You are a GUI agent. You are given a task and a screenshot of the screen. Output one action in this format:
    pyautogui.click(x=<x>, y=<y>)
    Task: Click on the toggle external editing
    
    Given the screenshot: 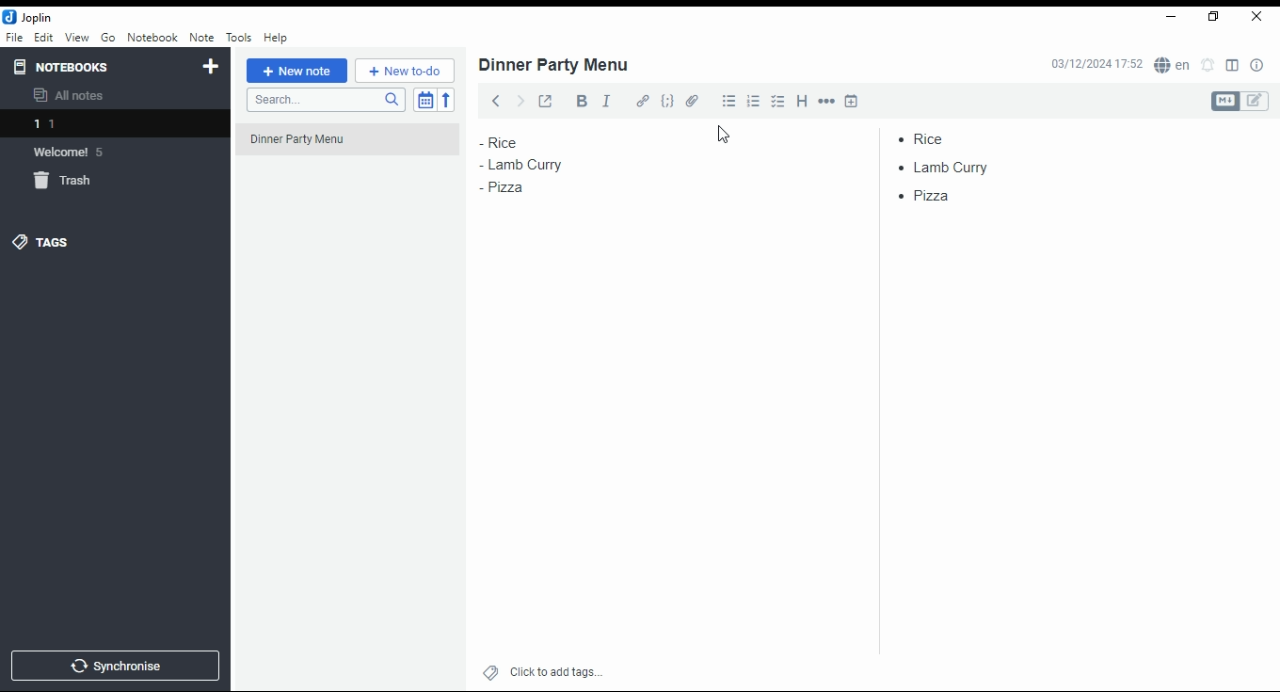 What is the action you would take?
    pyautogui.click(x=546, y=100)
    